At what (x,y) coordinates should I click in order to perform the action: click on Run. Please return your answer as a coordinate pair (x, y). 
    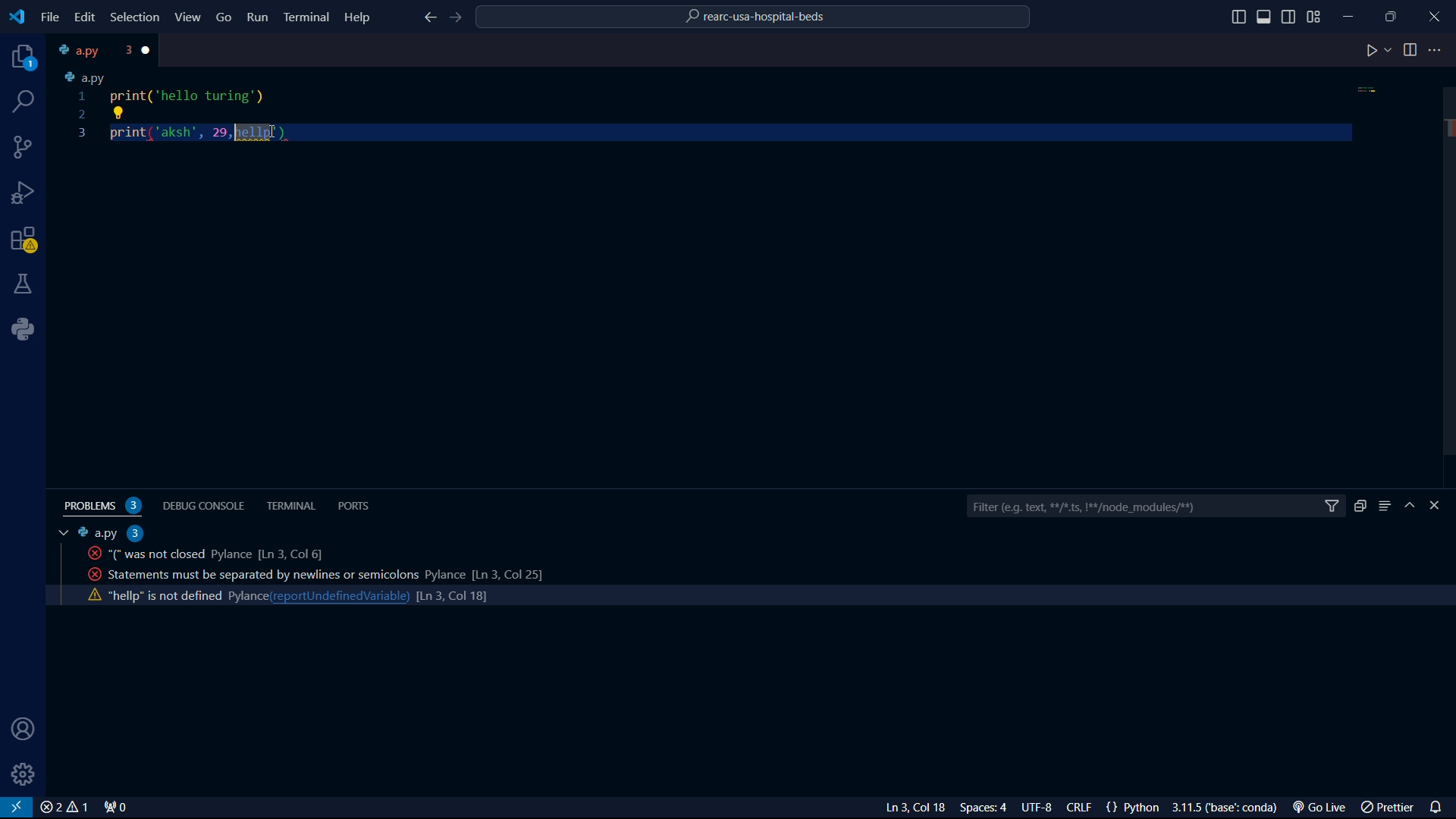
    Looking at the image, I should click on (259, 20).